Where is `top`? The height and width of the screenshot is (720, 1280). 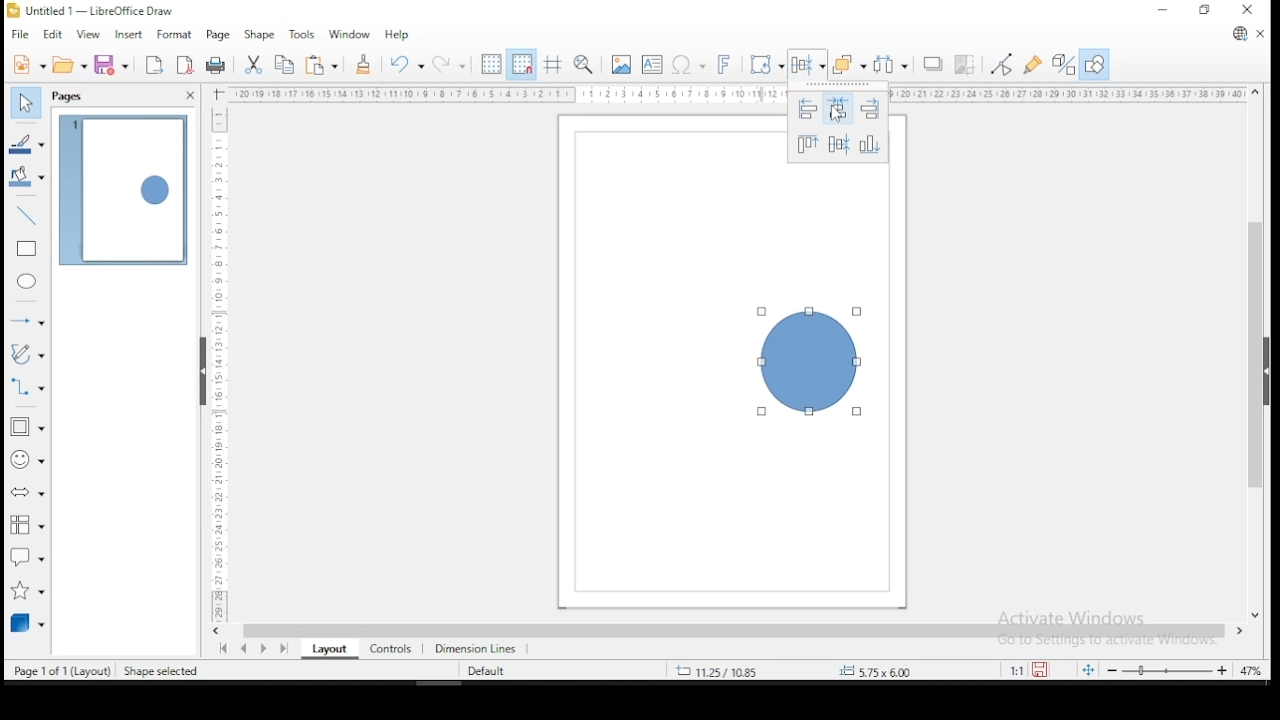 top is located at coordinates (806, 144).